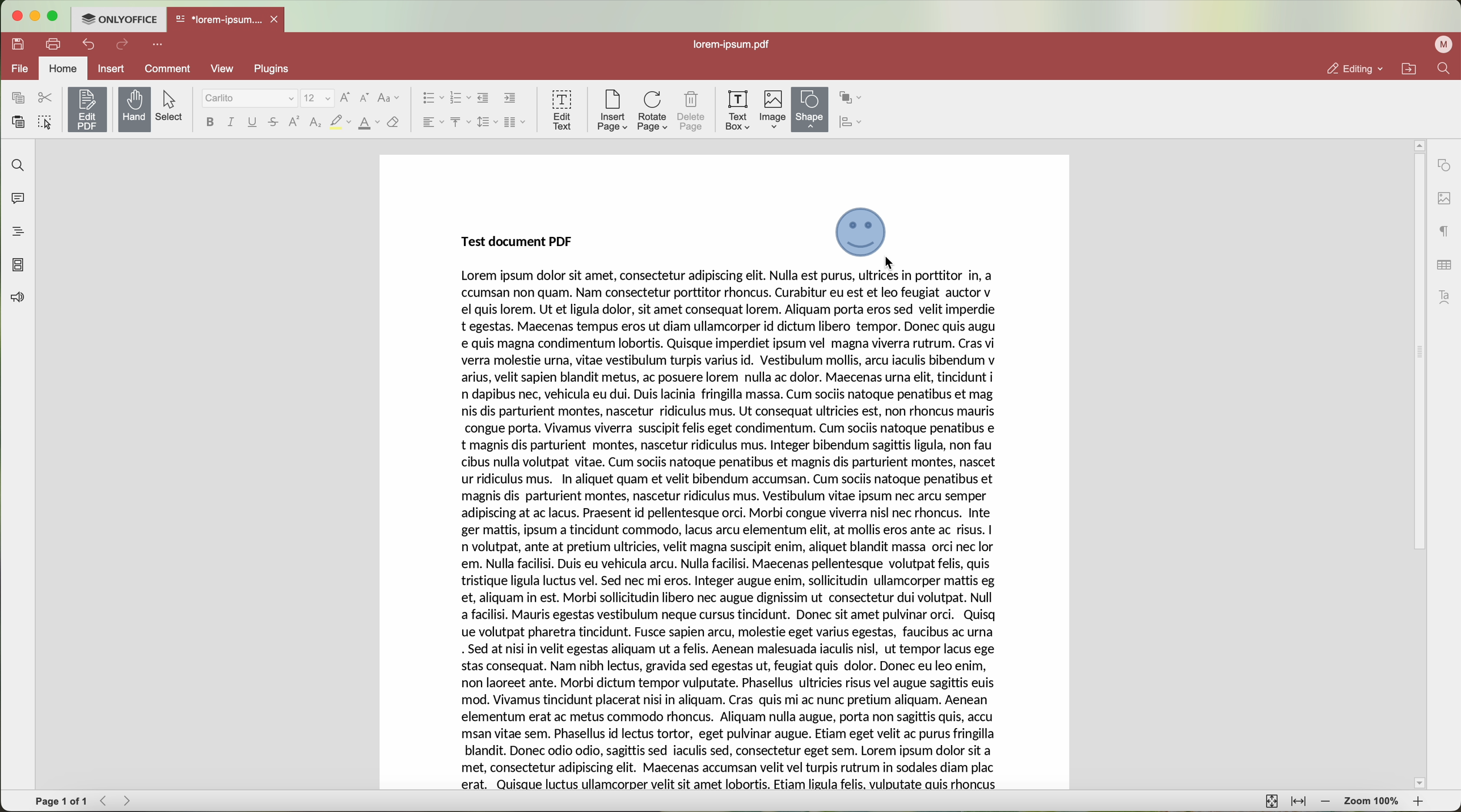  What do you see at coordinates (90, 107) in the screenshot?
I see `edit PDF` at bounding box center [90, 107].